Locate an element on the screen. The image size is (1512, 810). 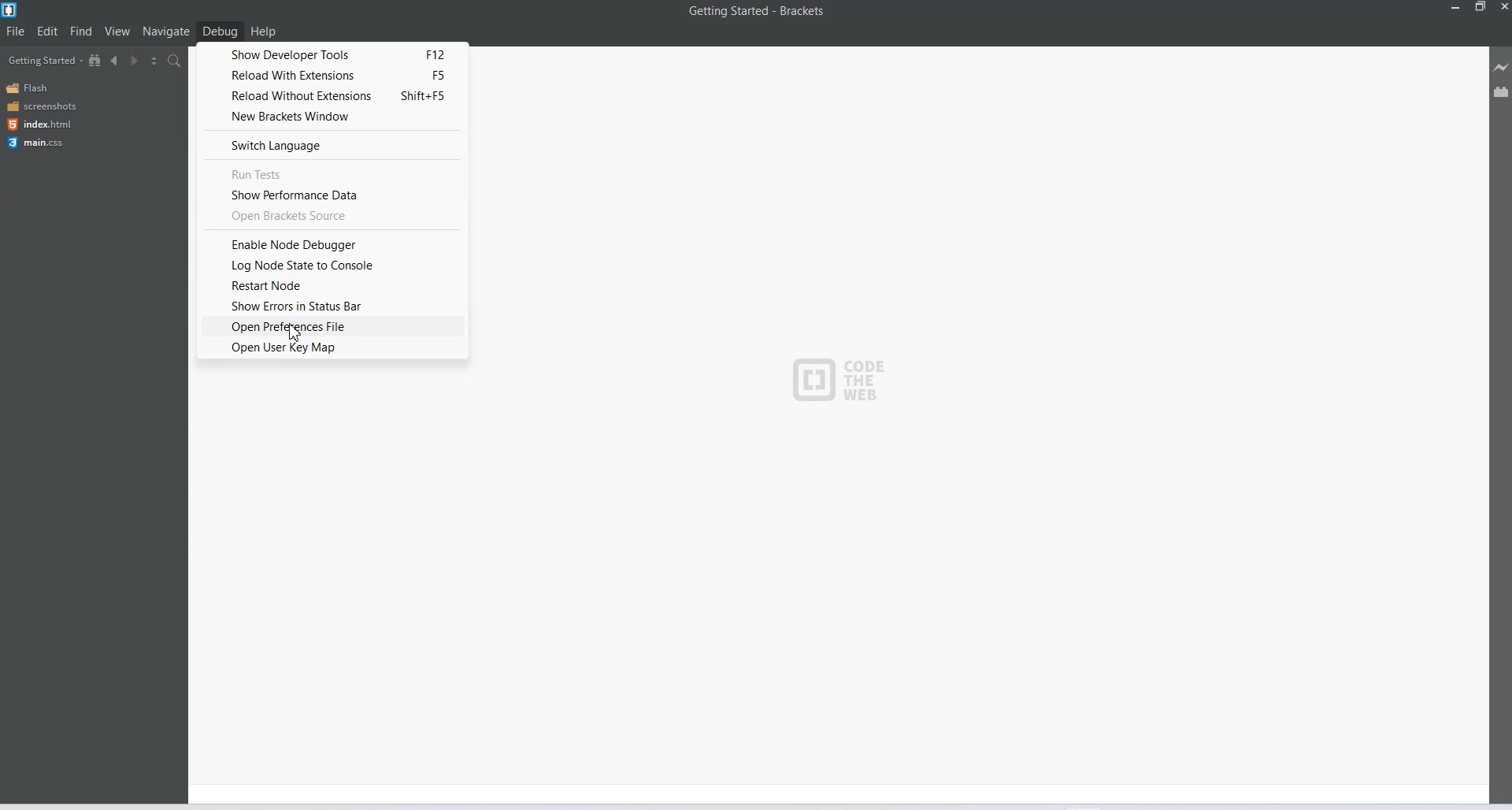
Edit is located at coordinates (49, 31).